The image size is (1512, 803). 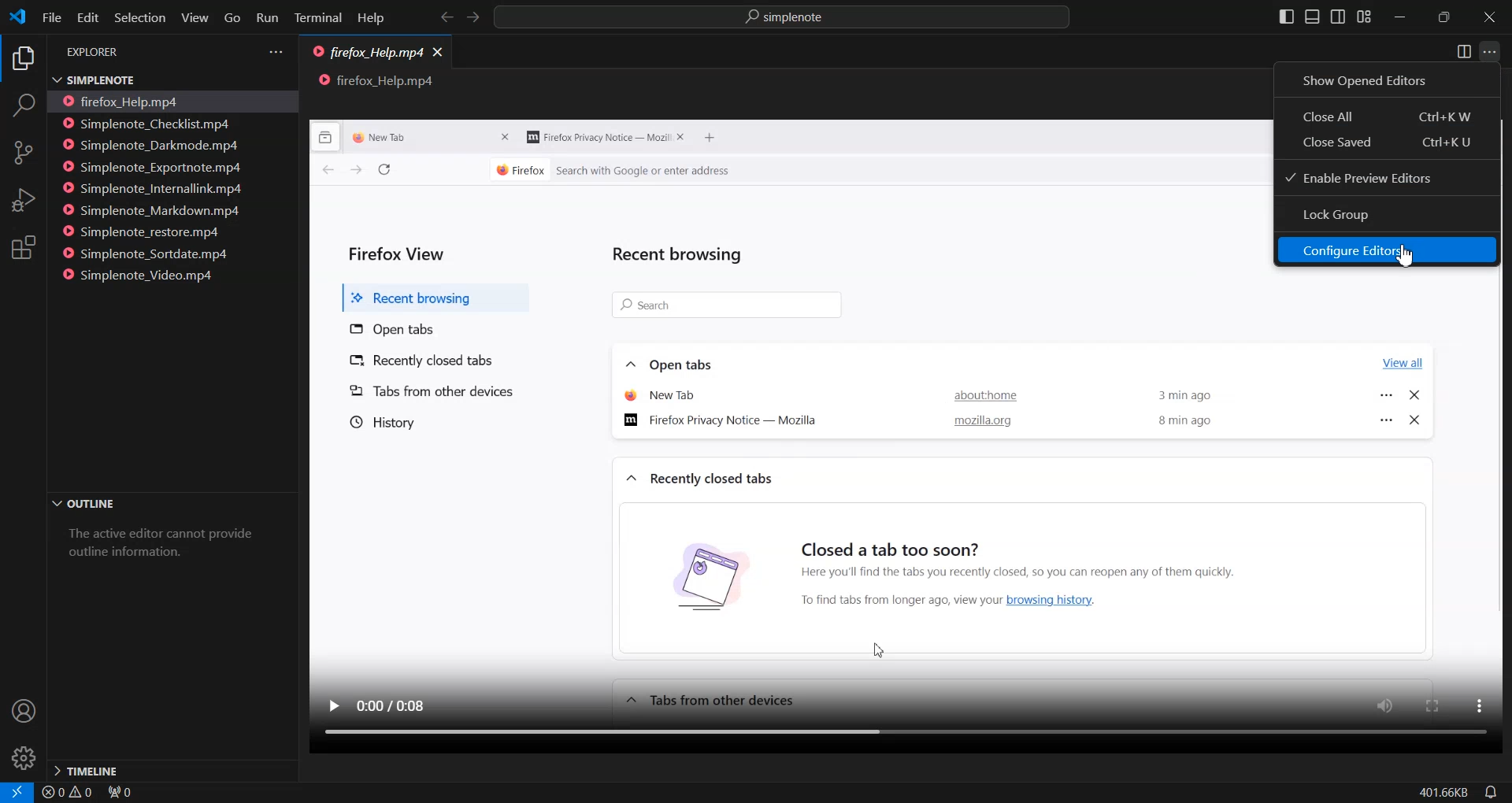 I want to click on firefox_Help.mp4, so click(x=131, y=101).